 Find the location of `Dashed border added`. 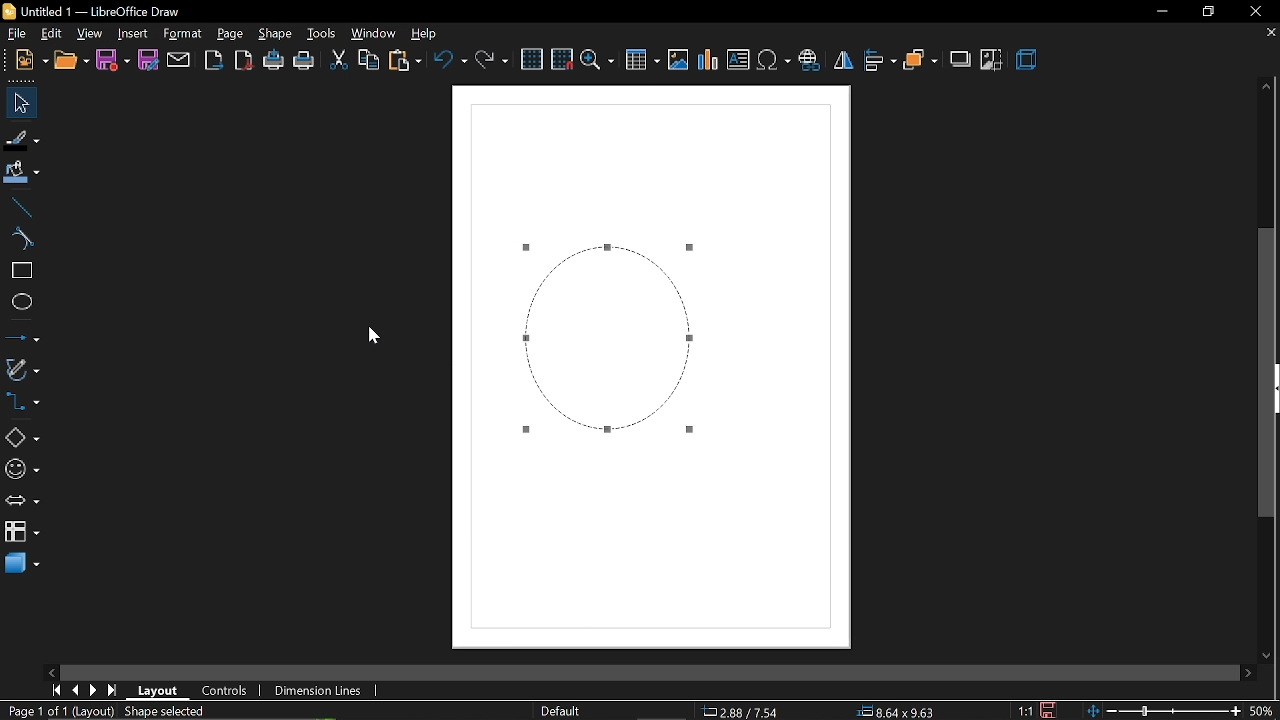

Dashed border added is located at coordinates (620, 356).